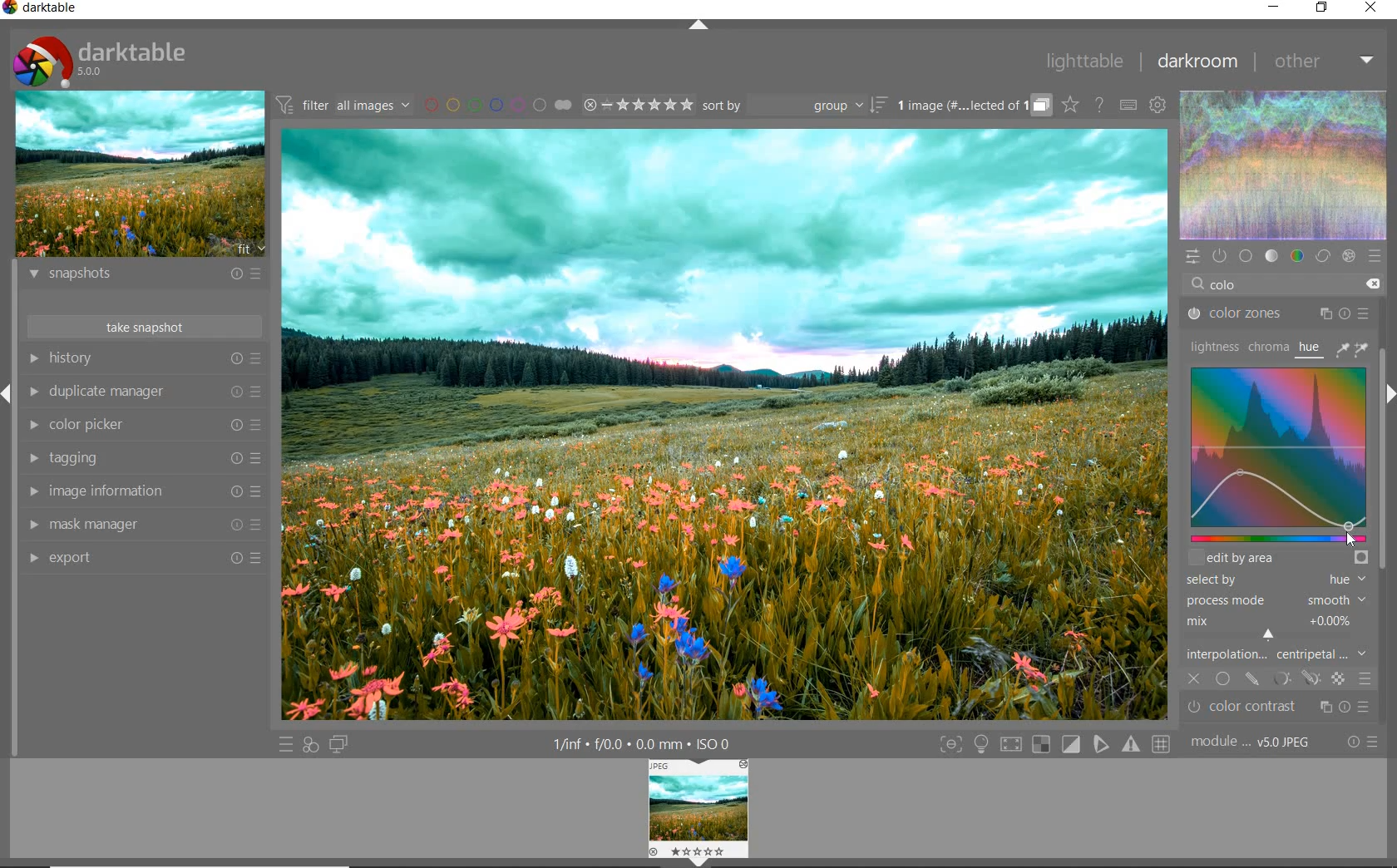 The height and width of the screenshot is (868, 1397). Describe the element at coordinates (311, 745) in the screenshot. I see `quick access for applying any of your styles` at that location.